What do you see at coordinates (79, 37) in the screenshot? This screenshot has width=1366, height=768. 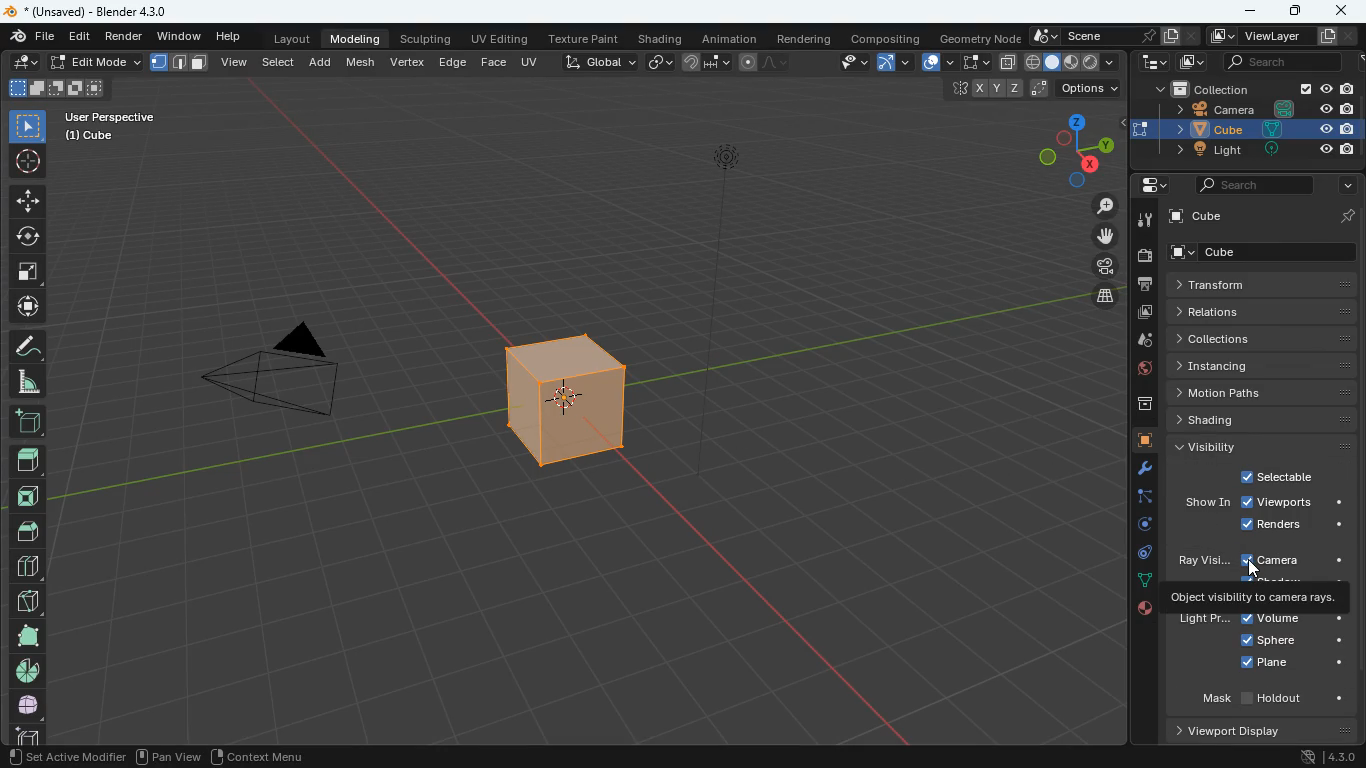 I see `edit` at bounding box center [79, 37].